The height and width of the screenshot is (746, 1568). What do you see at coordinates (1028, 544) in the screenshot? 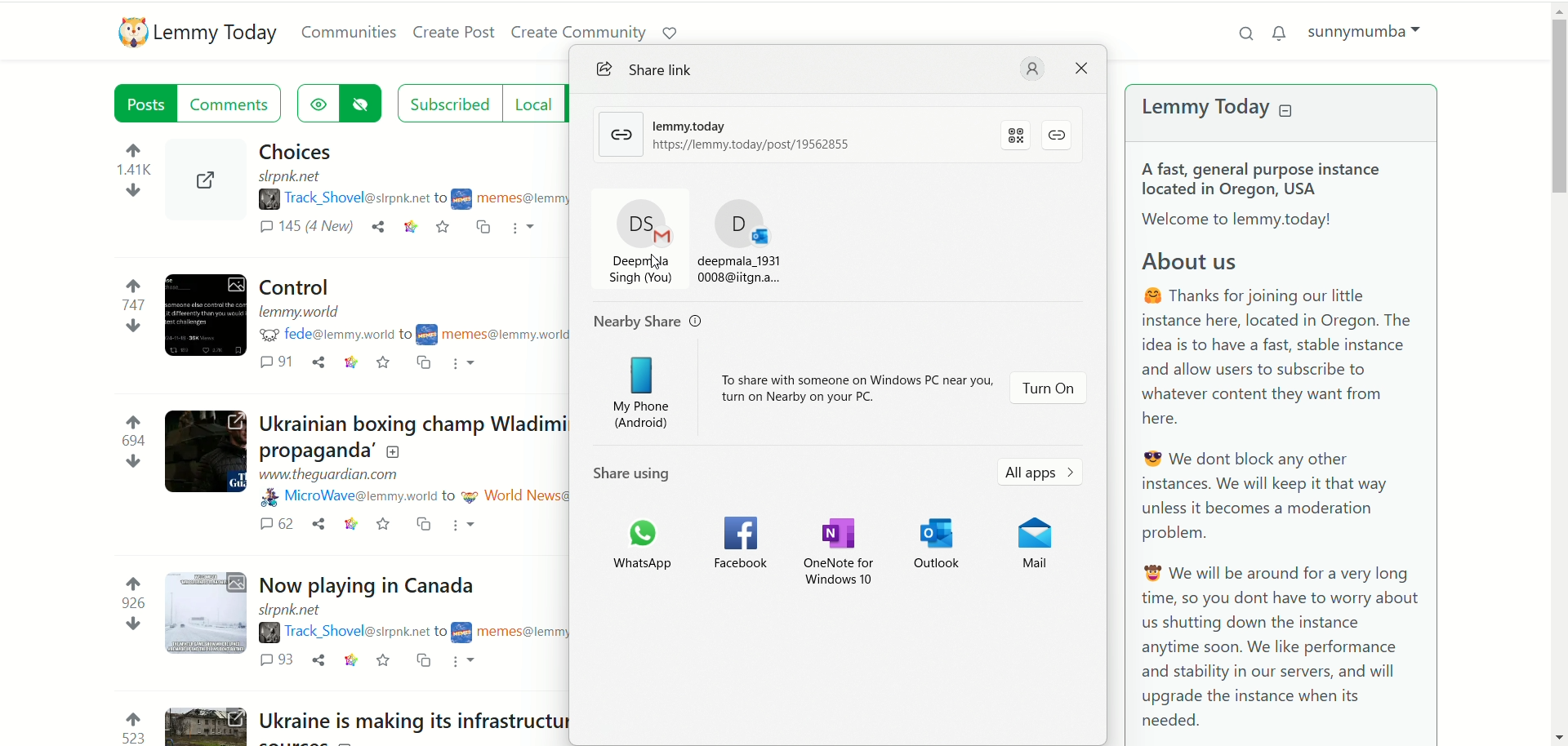
I see `mail` at bounding box center [1028, 544].